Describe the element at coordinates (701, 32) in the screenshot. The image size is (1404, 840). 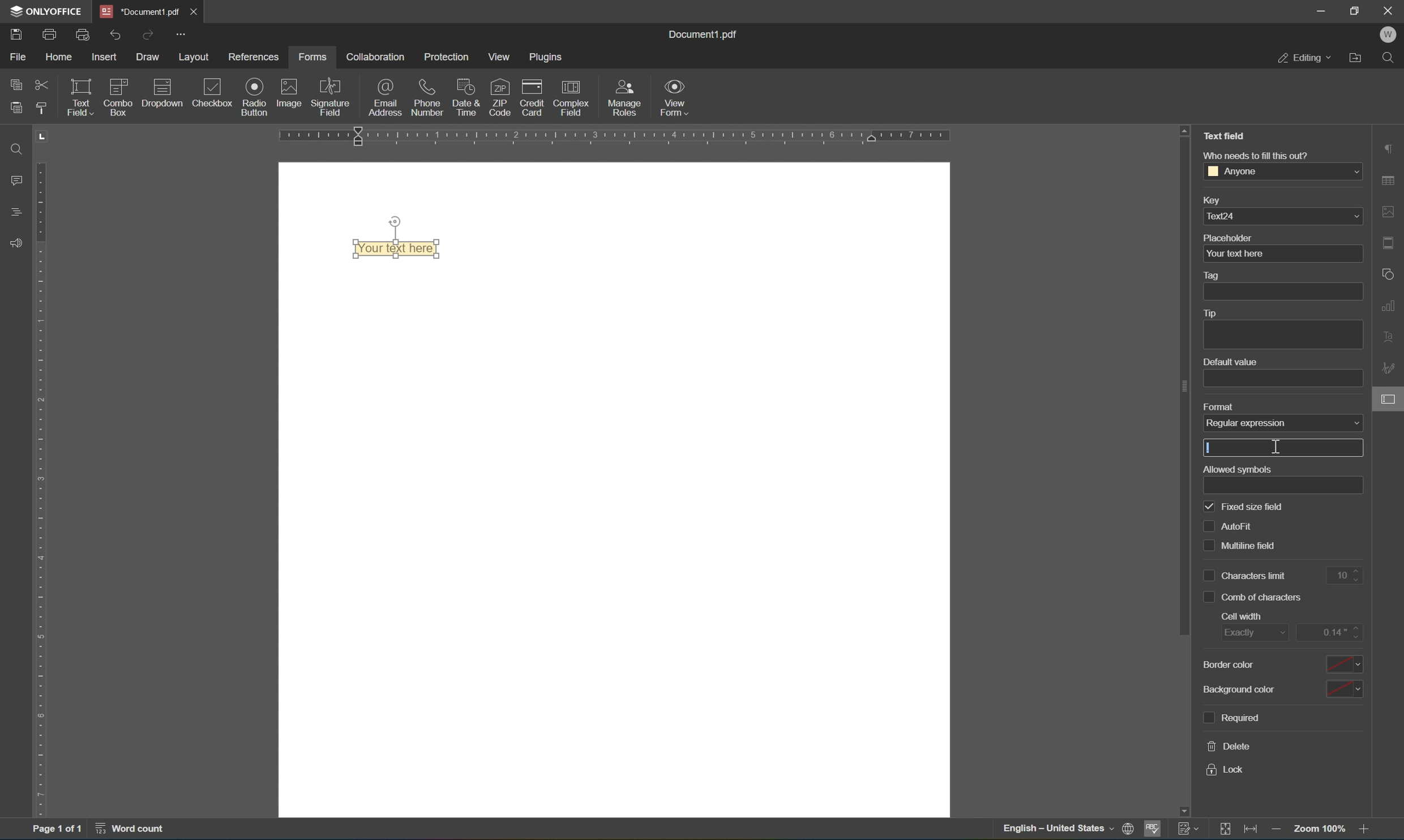
I see `document1.pdf` at that location.